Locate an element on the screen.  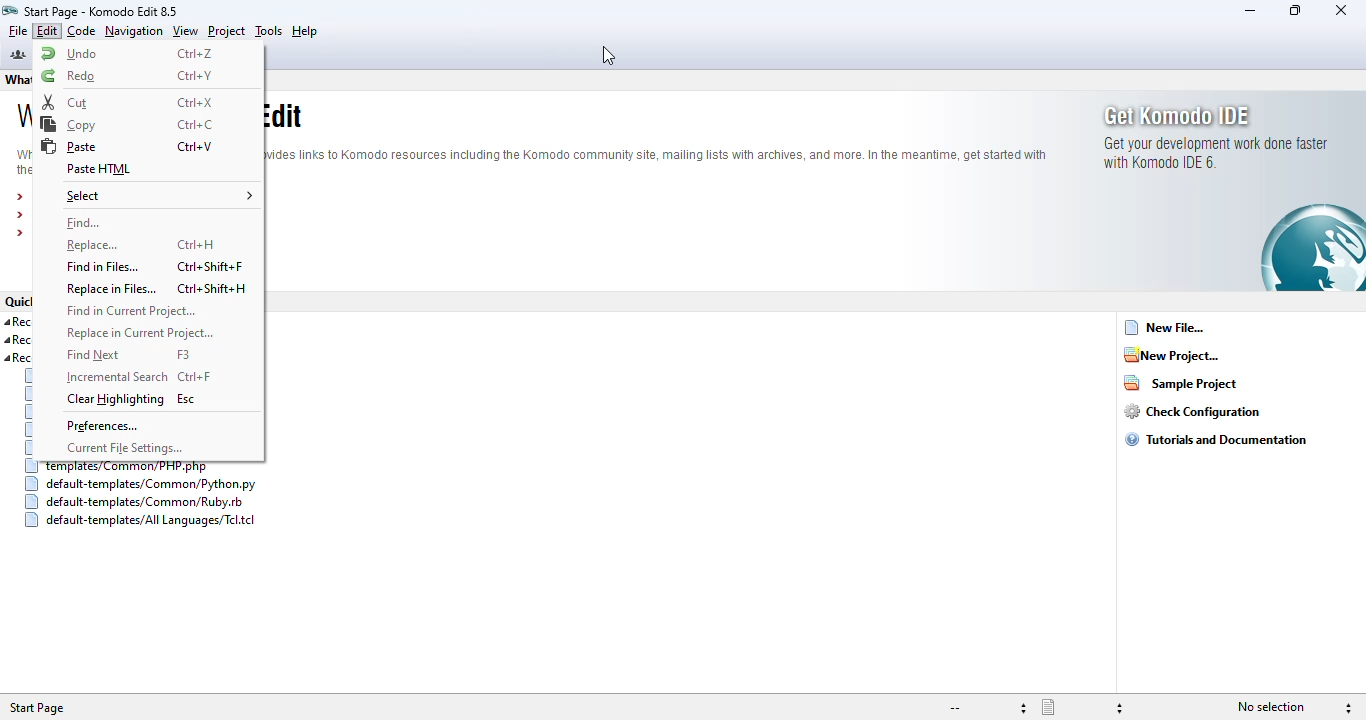
check configuration is located at coordinates (1192, 411).